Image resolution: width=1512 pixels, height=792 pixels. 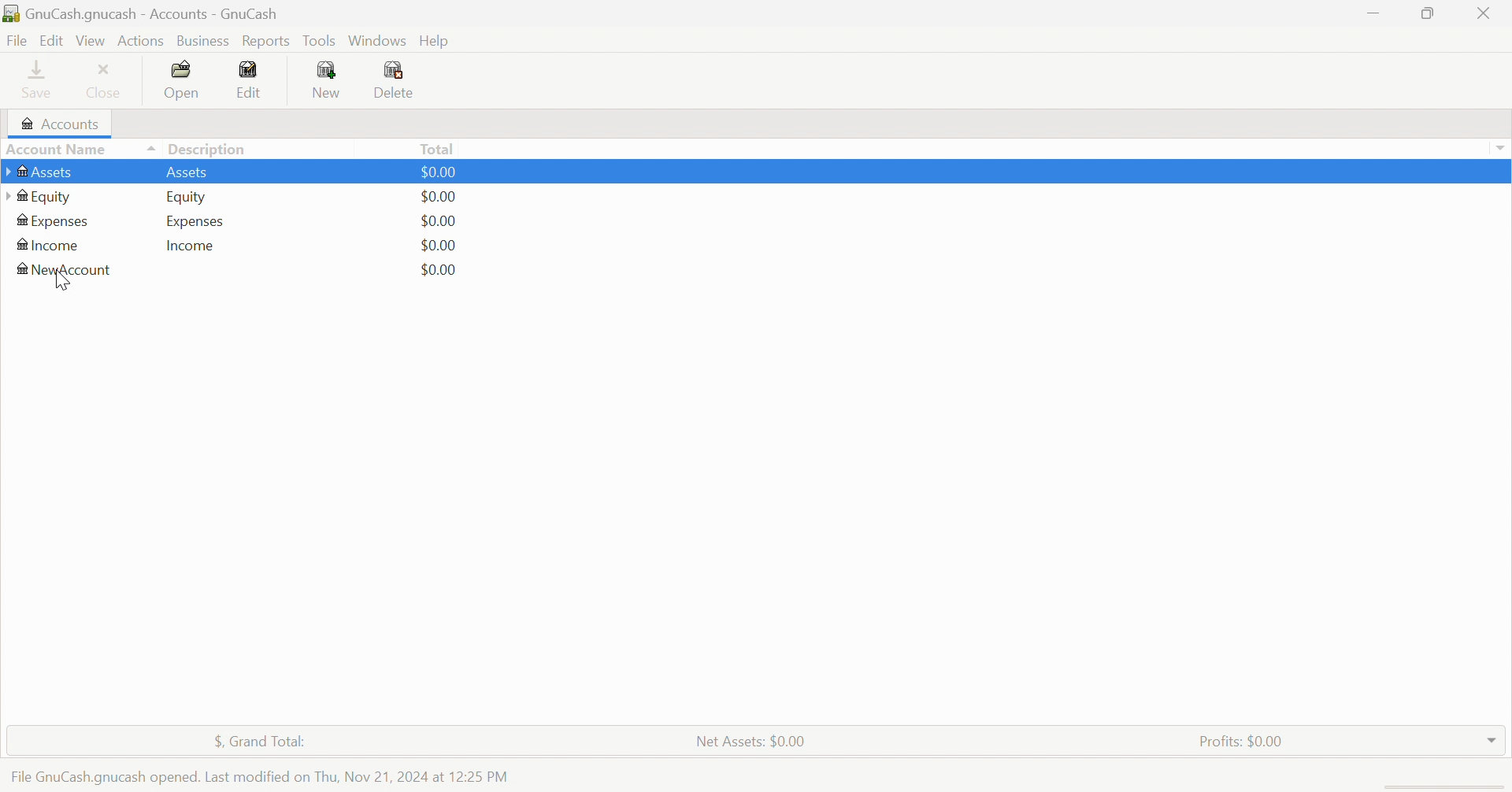 I want to click on New, so click(x=328, y=81).